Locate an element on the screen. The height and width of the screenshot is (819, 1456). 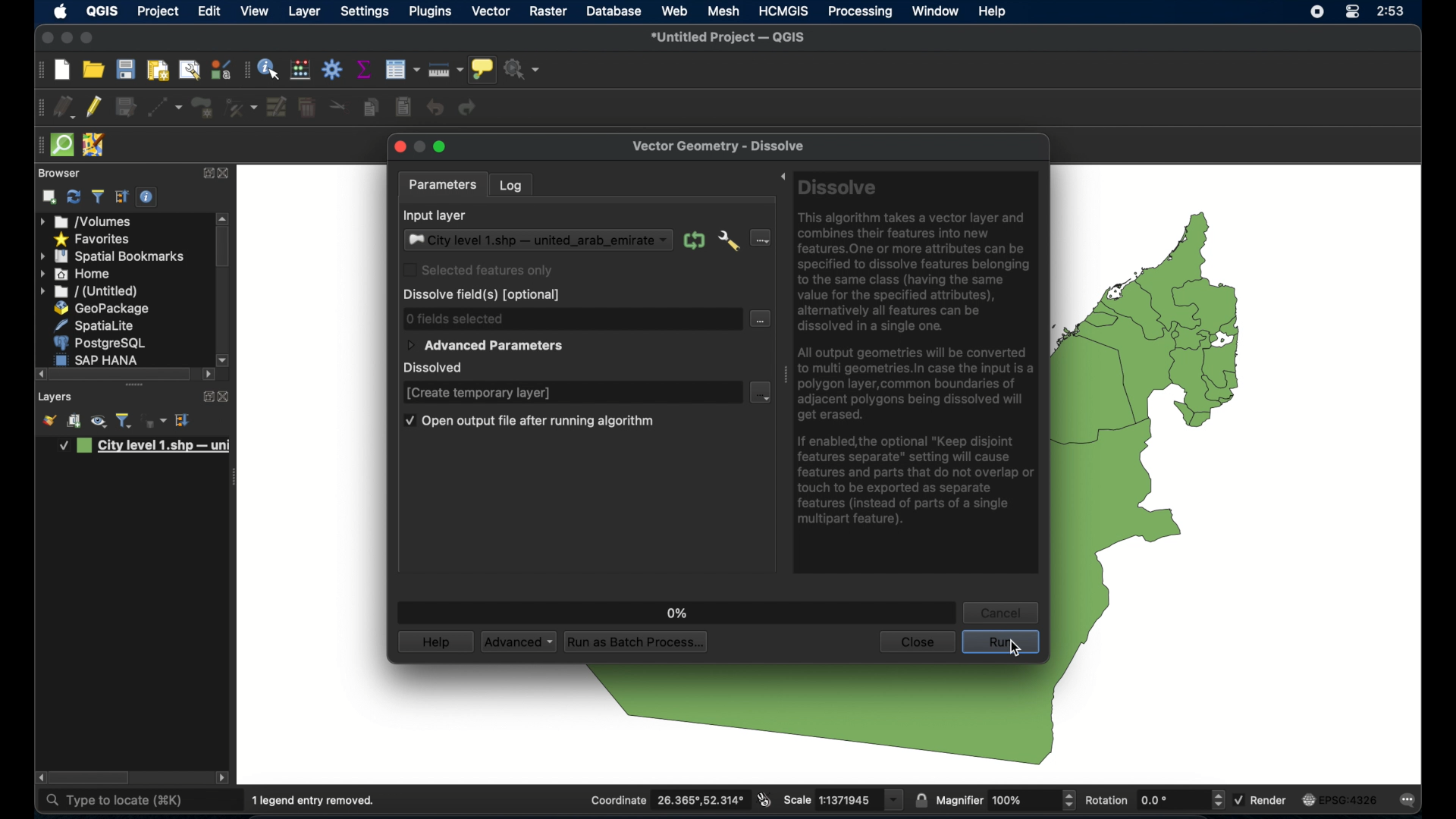
raster is located at coordinates (548, 11).